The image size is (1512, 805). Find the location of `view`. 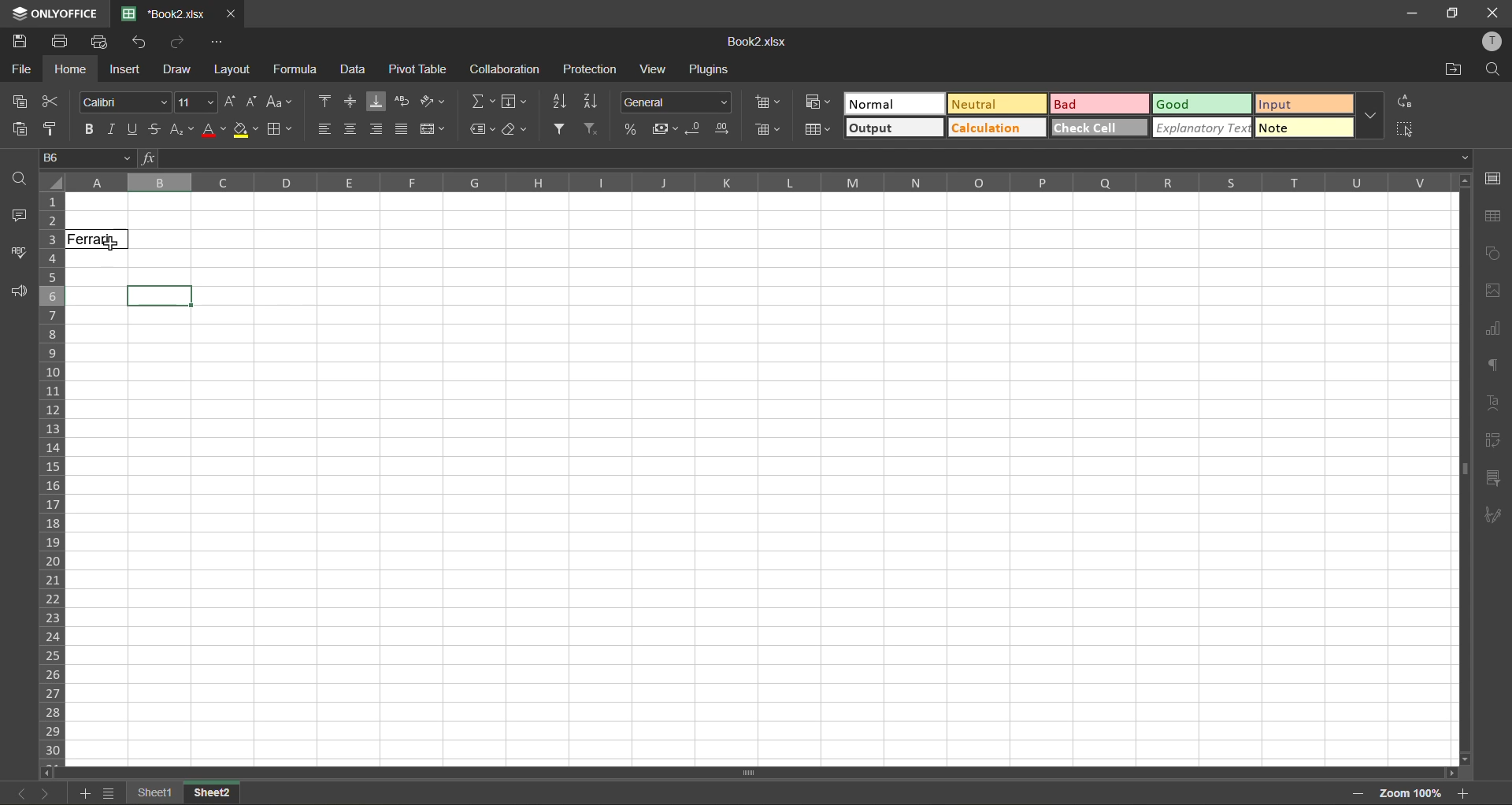

view is located at coordinates (657, 69).